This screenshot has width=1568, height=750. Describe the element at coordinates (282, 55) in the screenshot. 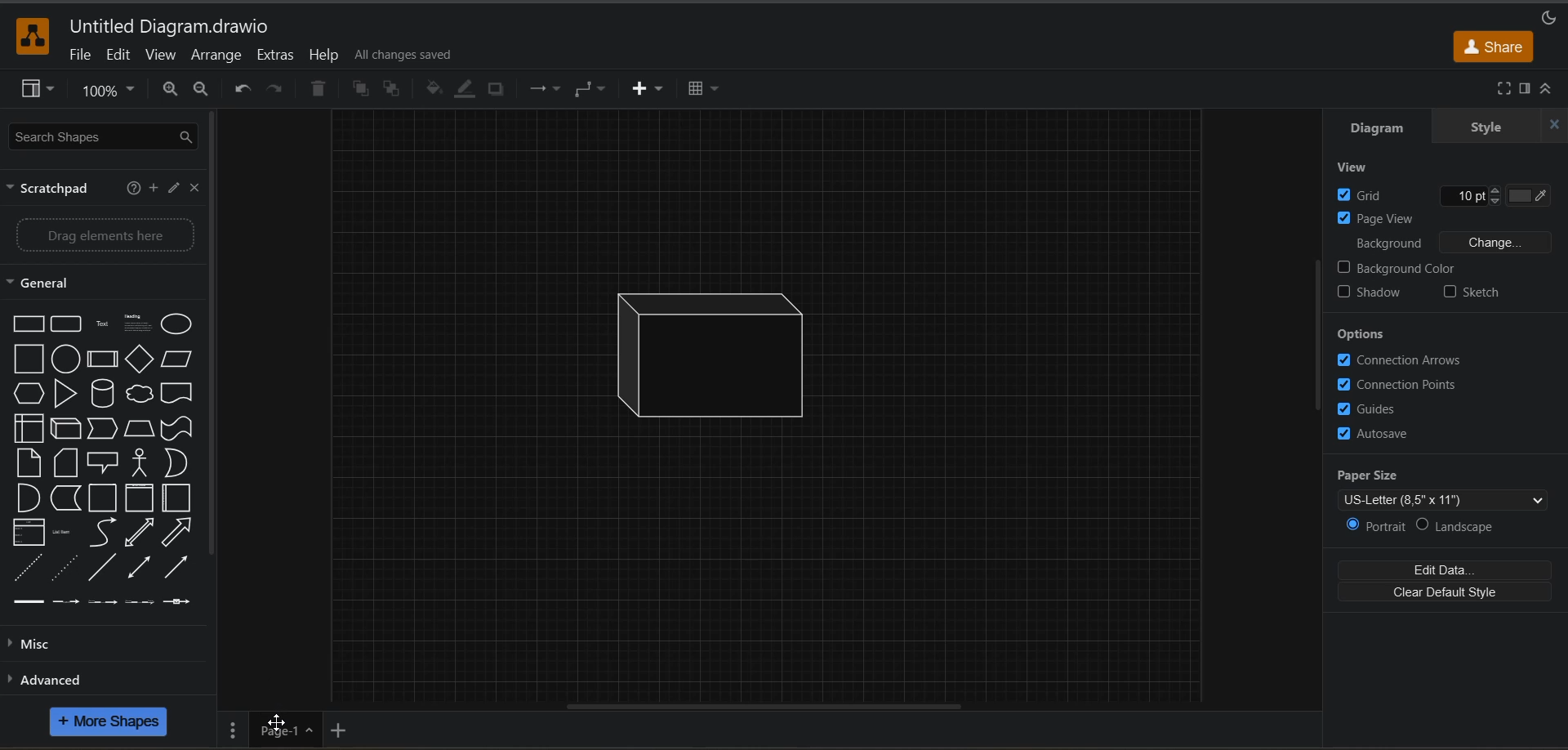

I see `extras` at that location.